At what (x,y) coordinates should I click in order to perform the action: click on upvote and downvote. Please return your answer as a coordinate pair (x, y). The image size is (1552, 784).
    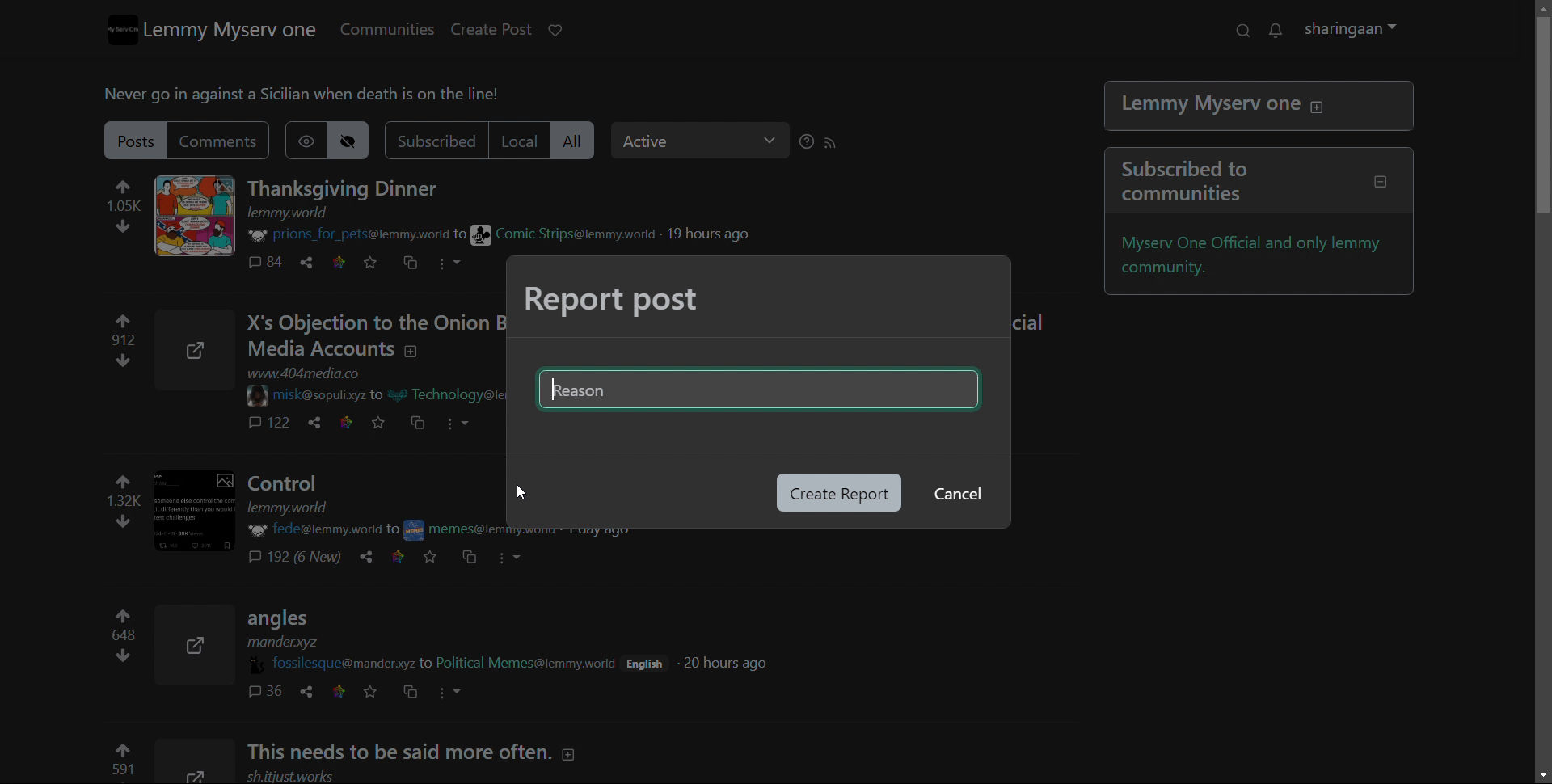
    Looking at the image, I should click on (123, 641).